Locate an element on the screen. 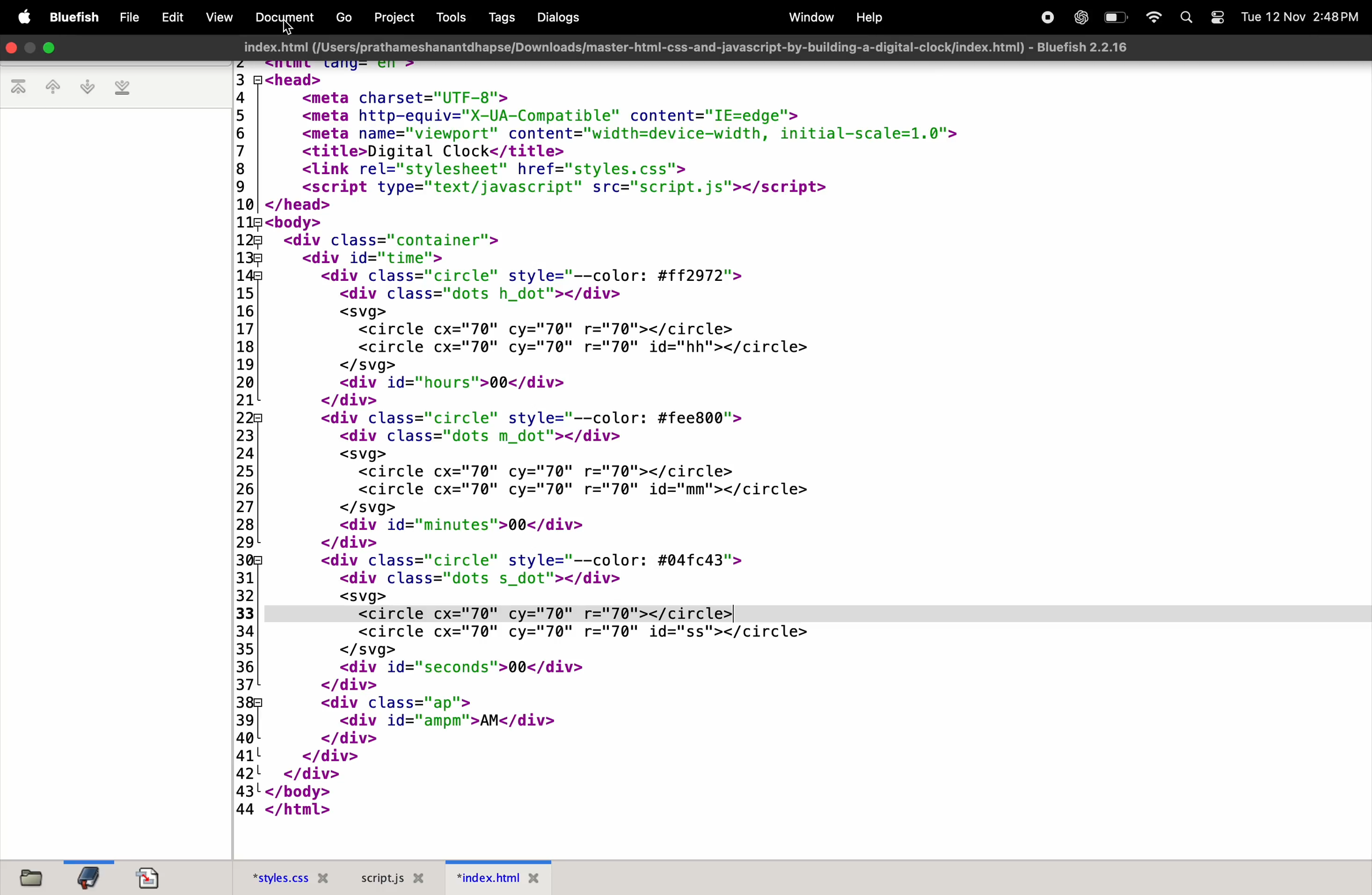  cursor is located at coordinates (290, 29).